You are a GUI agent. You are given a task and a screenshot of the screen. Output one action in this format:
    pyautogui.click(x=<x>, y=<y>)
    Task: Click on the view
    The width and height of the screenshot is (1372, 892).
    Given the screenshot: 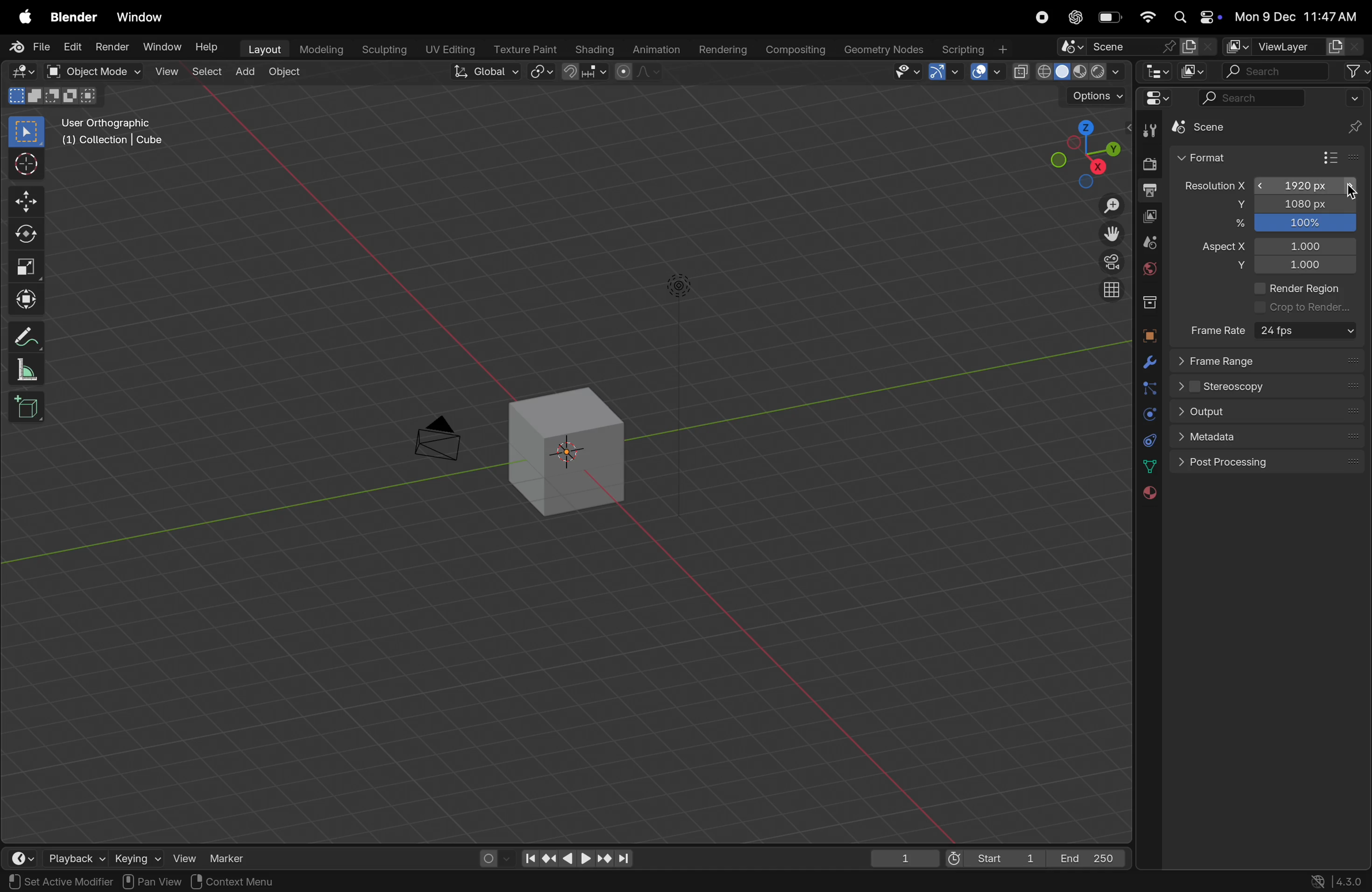 What is the action you would take?
    pyautogui.click(x=165, y=72)
    